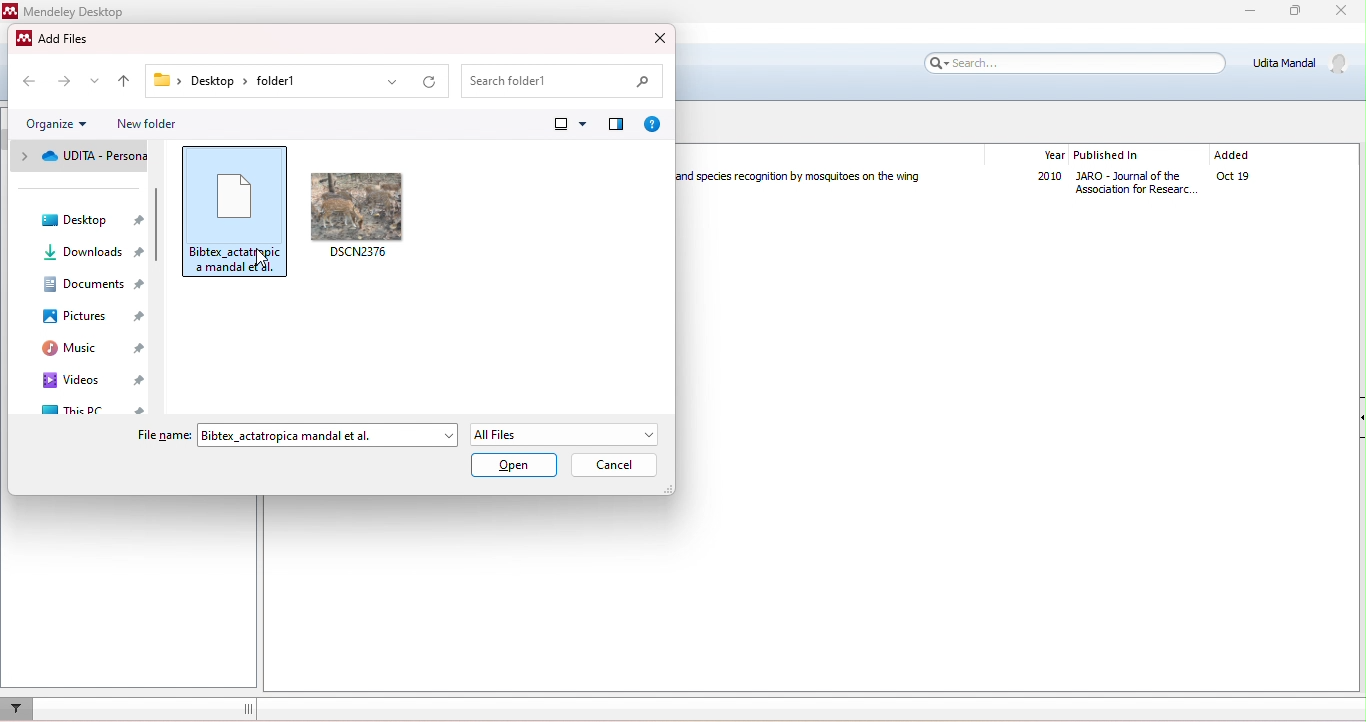 This screenshot has height=722, width=1366. Describe the element at coordinates (512, 465) in the screenshot. I see `open` at that location.